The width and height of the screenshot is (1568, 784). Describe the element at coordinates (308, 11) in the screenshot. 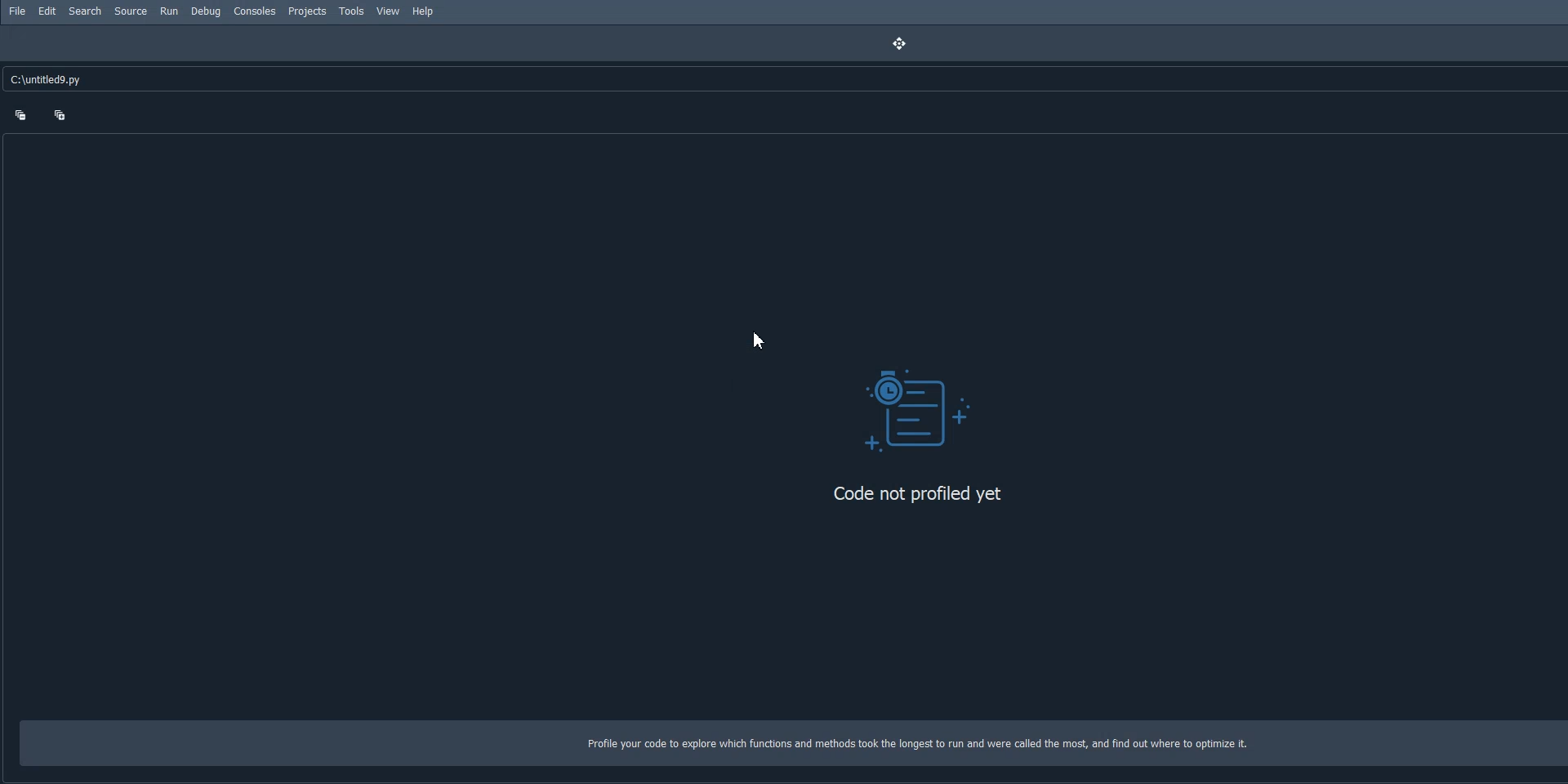

I see `Projects` at that location.